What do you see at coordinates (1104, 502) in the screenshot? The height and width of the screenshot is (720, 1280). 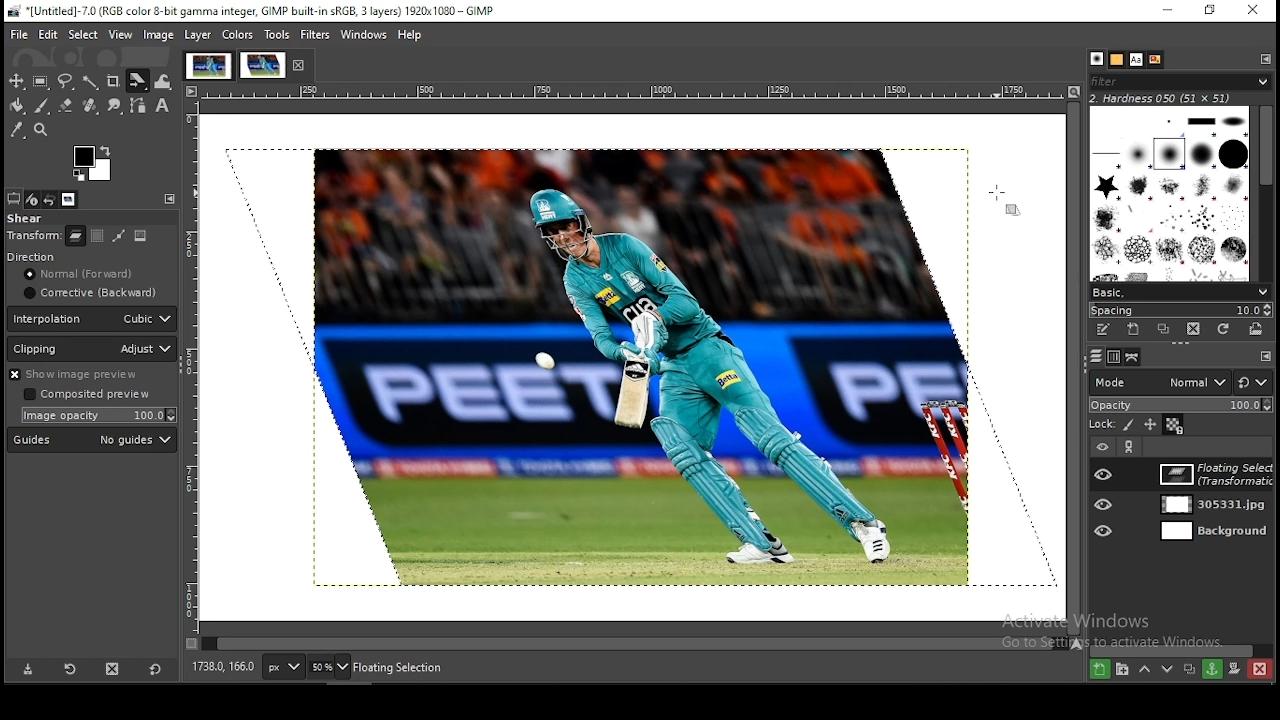 I see `layer visibility on/off` at bounding box center [1104, 502].